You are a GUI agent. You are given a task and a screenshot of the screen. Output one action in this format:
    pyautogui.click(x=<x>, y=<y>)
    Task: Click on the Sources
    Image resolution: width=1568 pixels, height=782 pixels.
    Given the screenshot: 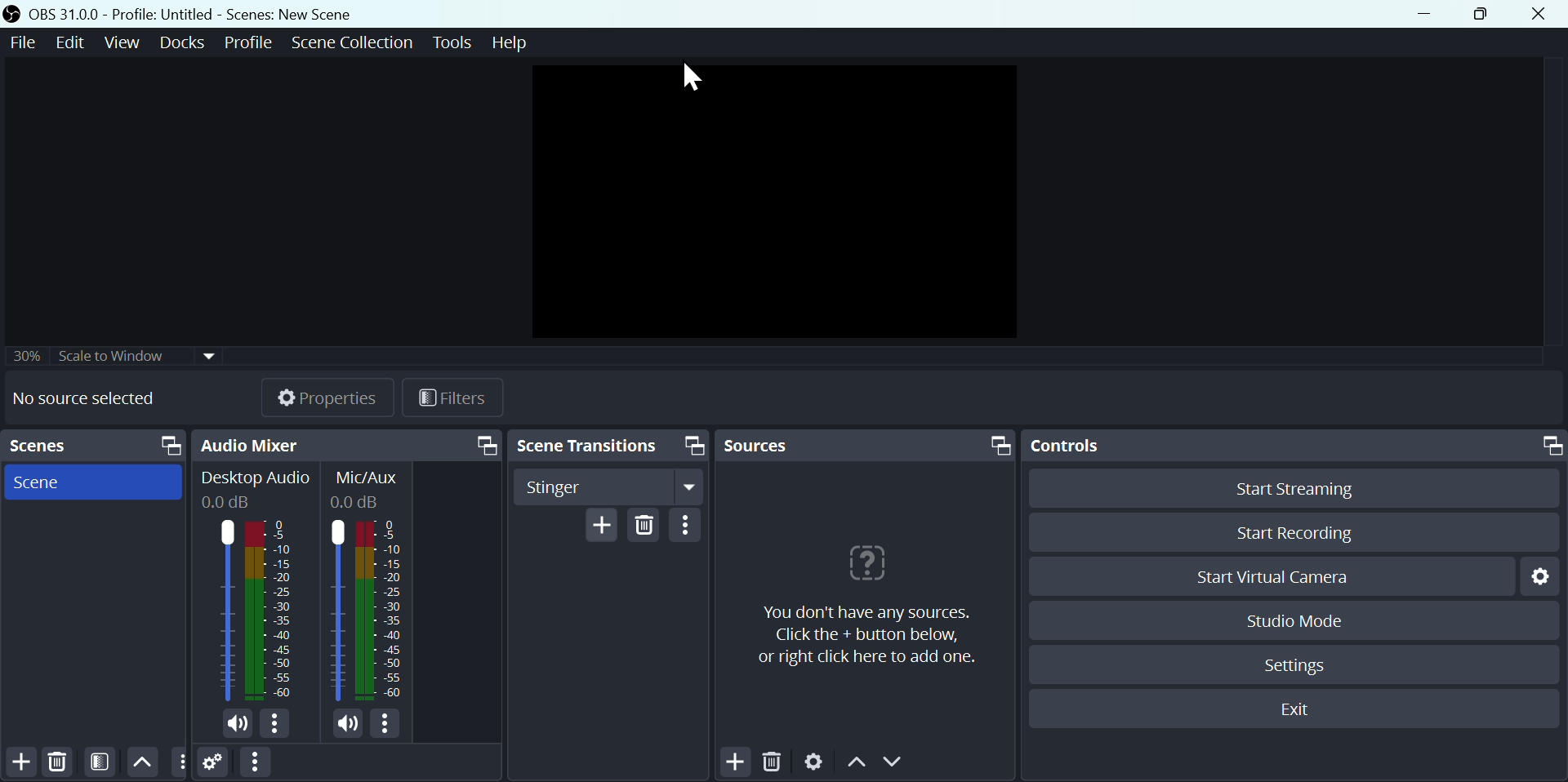 What is the action you would take?
    pyautogui.click(x=866, y=444)
    